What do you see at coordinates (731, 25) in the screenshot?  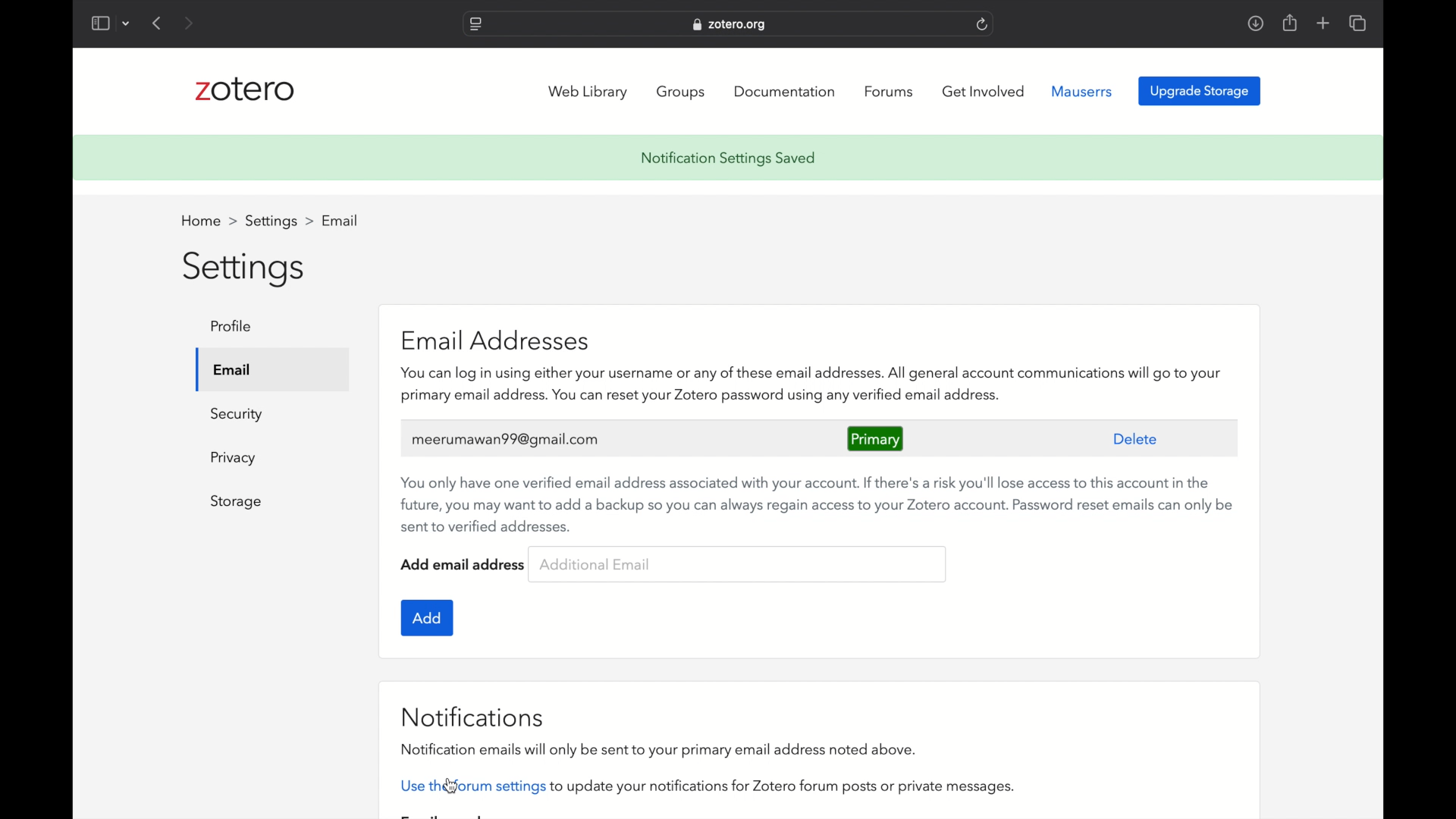 I see `website address` at bounding box center [731, 25].